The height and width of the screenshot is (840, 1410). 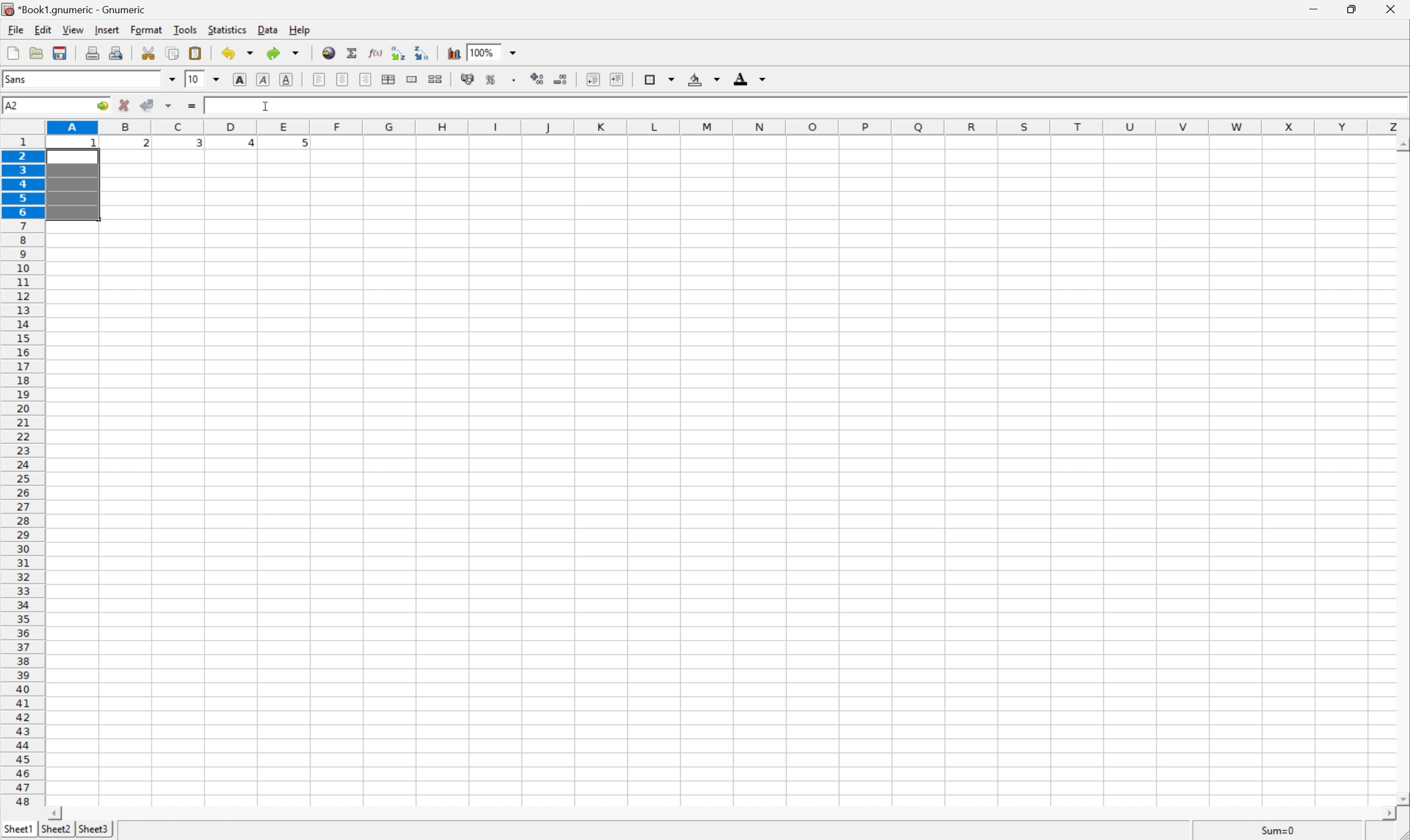 I want to click on data, so click(x=266, y=29).